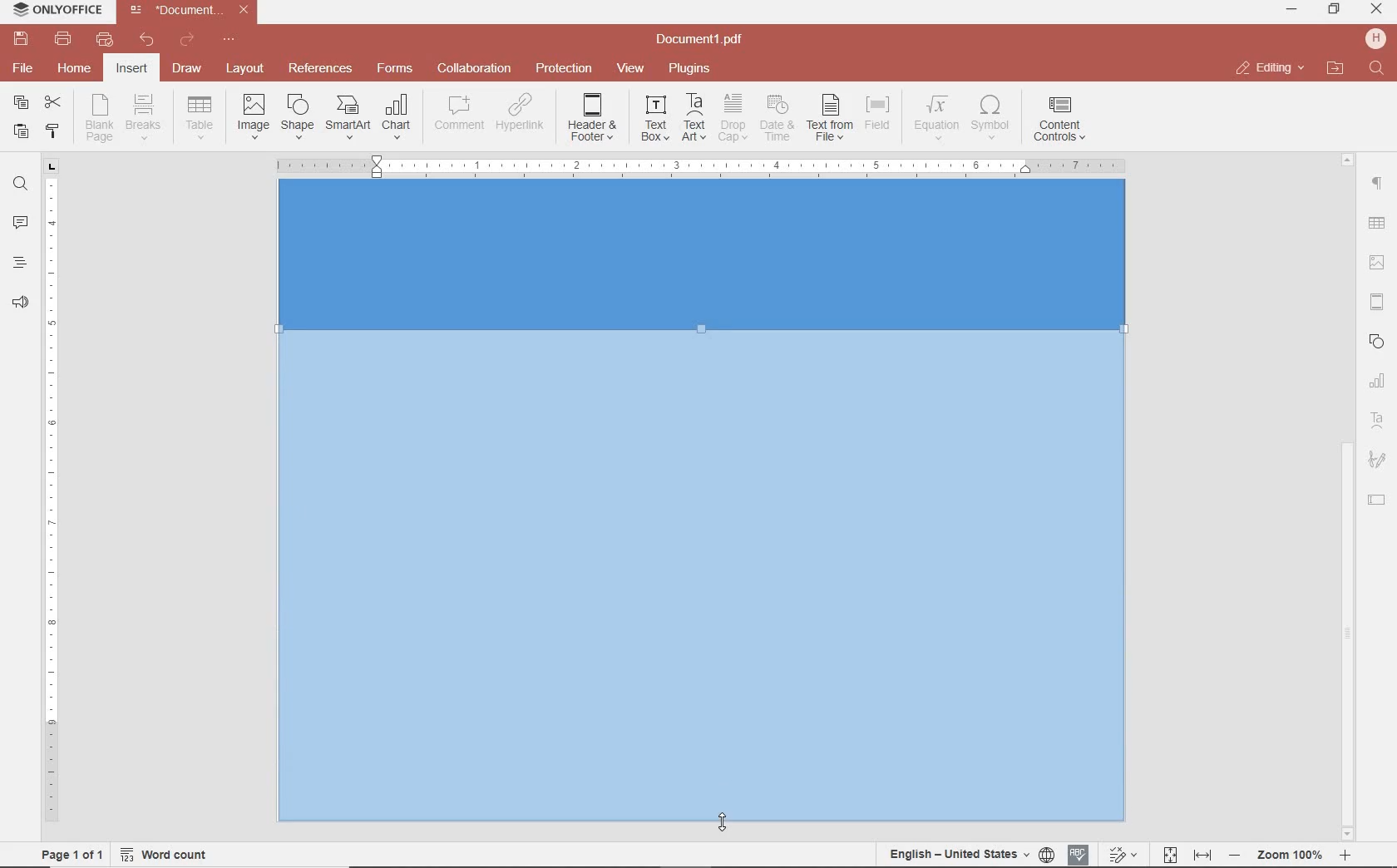 The height and width of the screenshot is (868, 1397). Describe the element at coordinates (395, 68) in the screenshot. I see `forms` at that location.